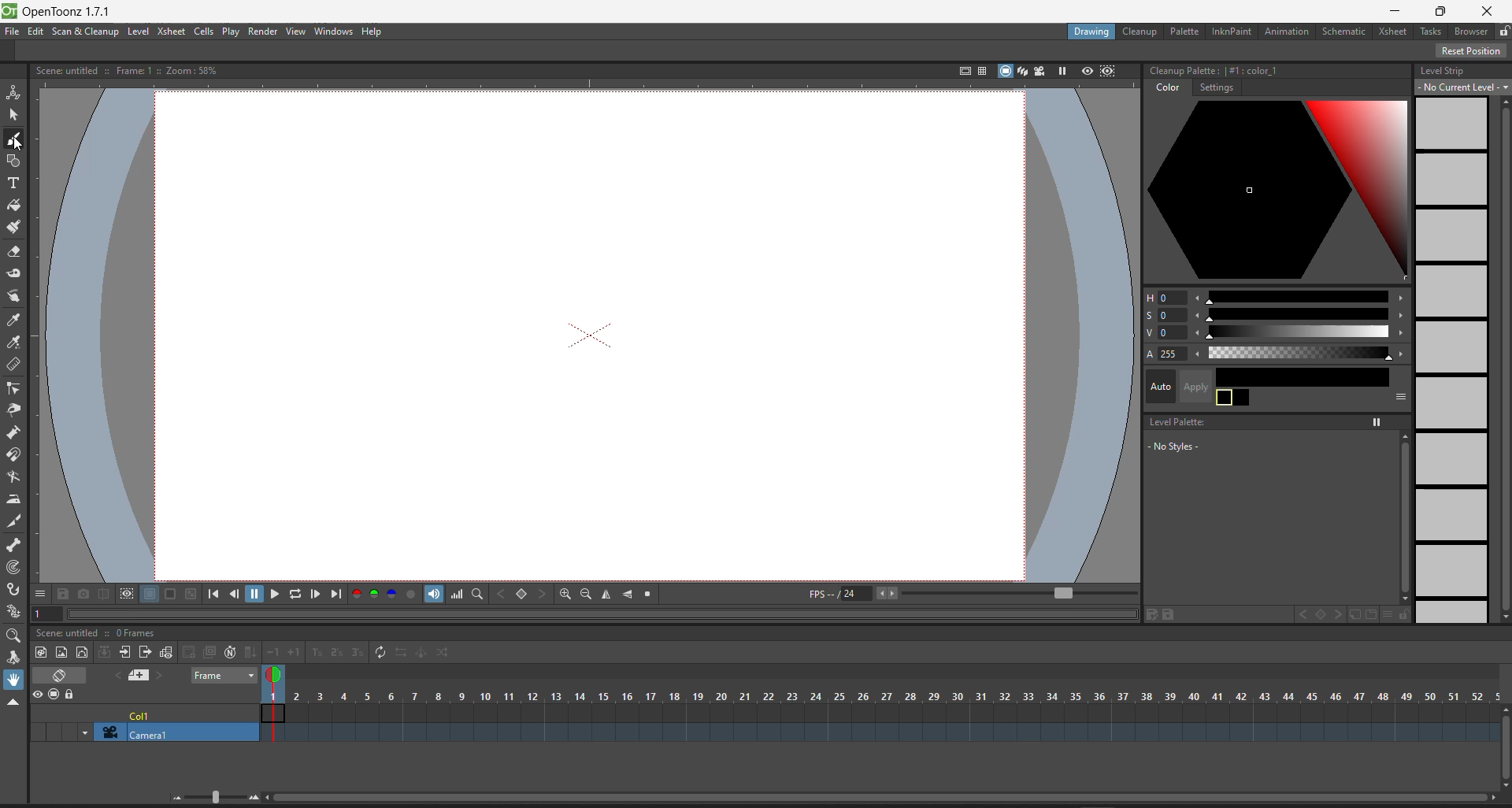 The width and height of the screenshot is (1512, 808). Describe the element at coordinates (164, 732) in the screenshot. I see `camera` at that location.